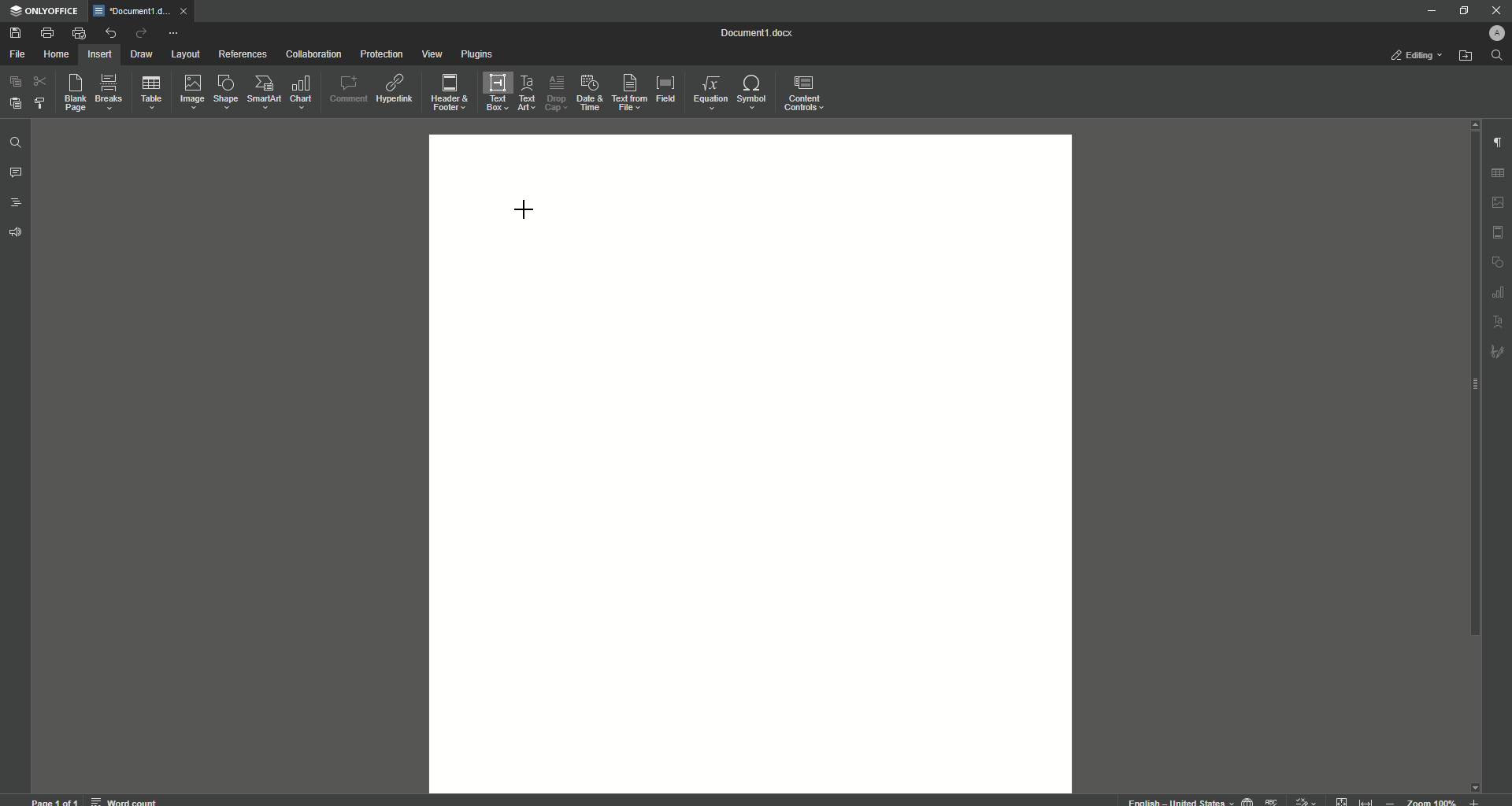  Describe the element at coordinates (187, 10) in the screenshot. I see `close` at that location.